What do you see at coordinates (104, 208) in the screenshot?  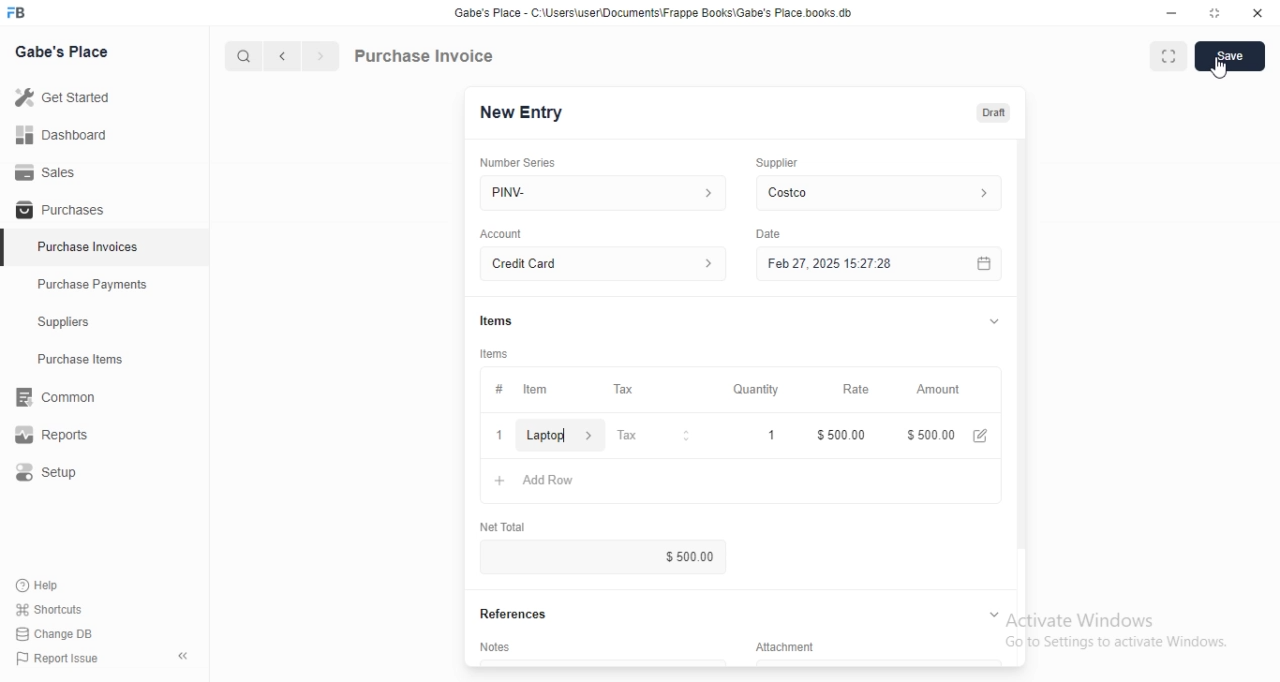 I see `Purchases` at bounding box center [104, 208].